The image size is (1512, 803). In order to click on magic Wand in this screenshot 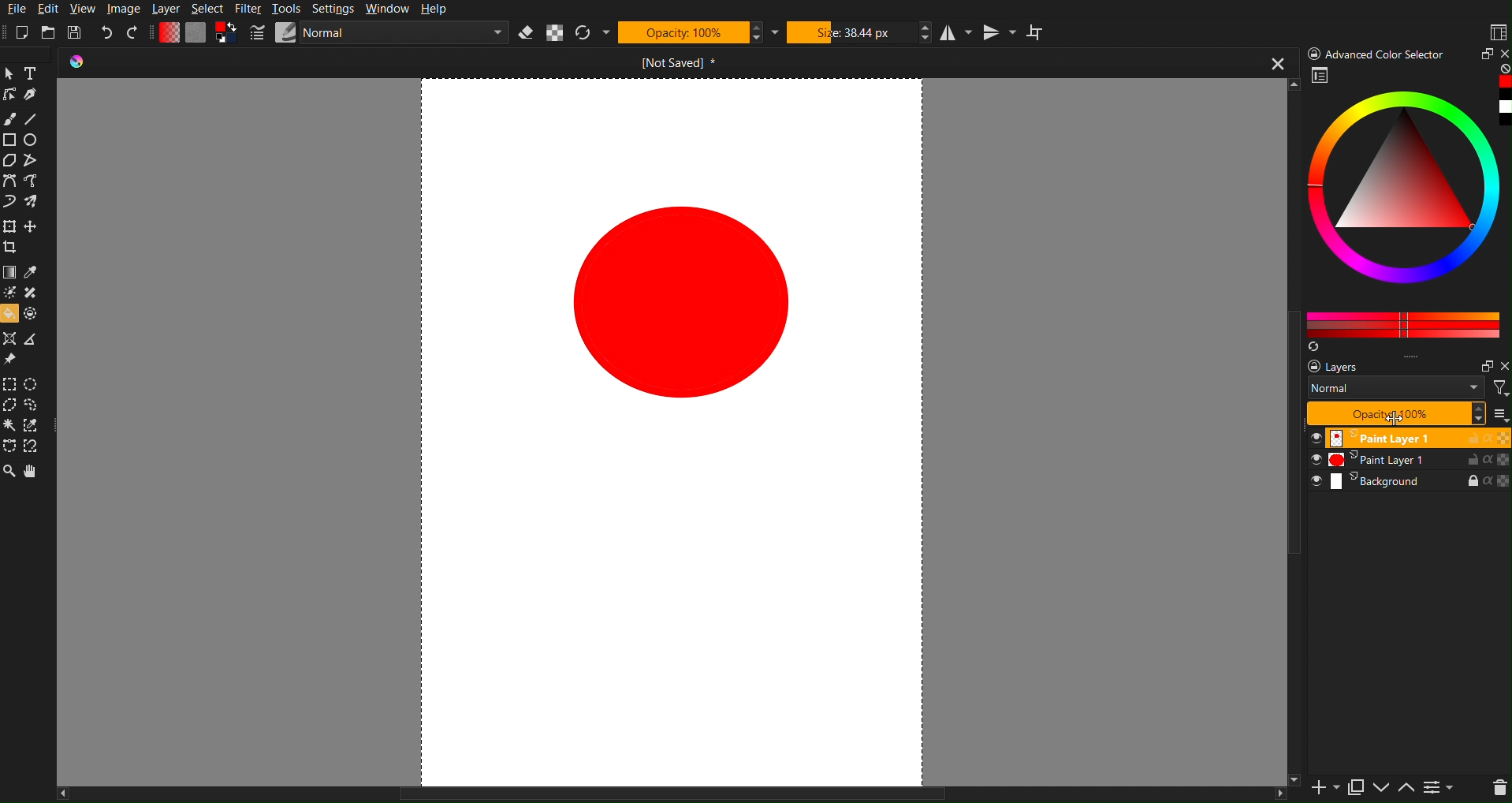, I will do `click(9, 428)`.